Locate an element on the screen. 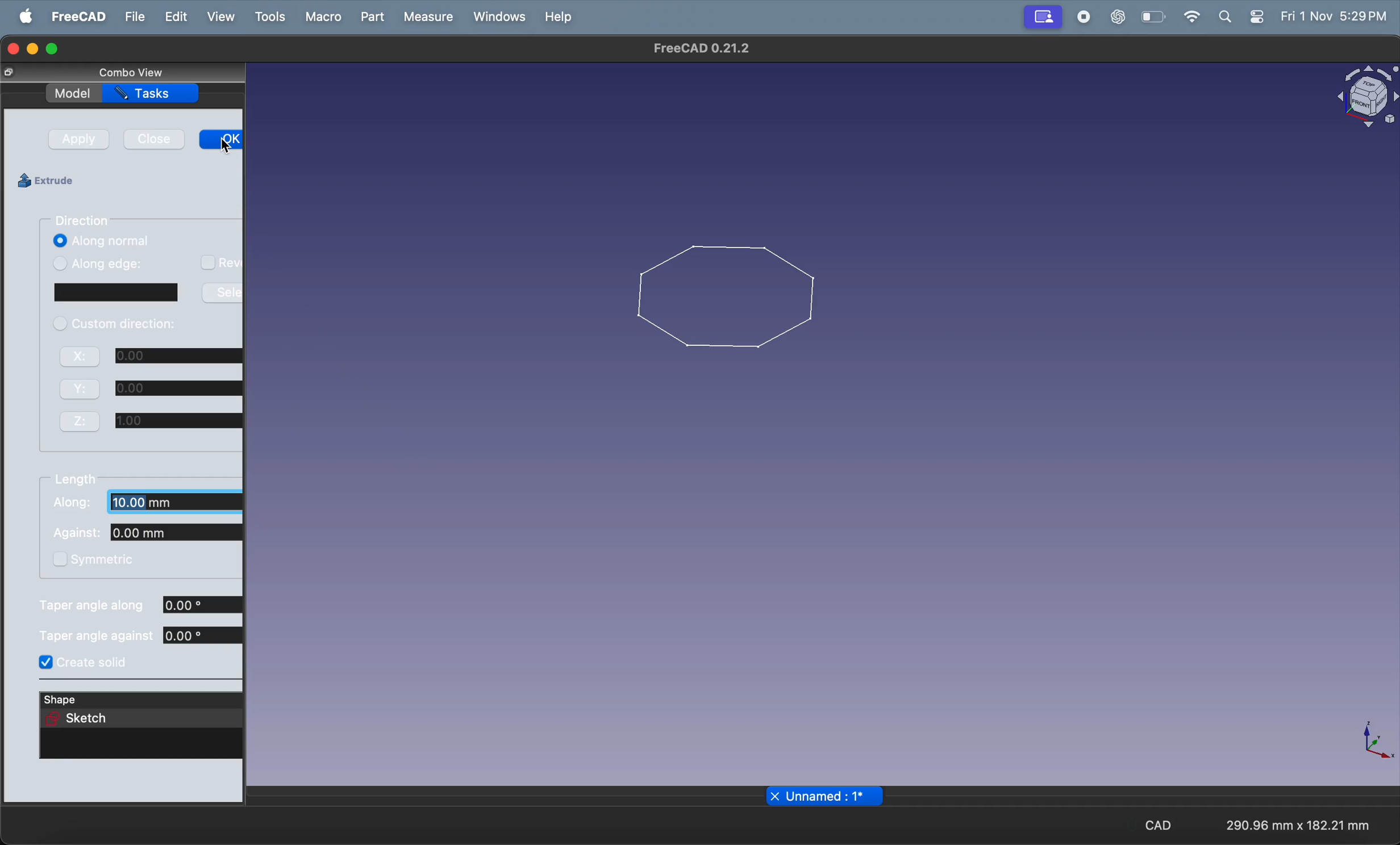 The image size is (1400, 845). model is located at coordinates (77, 93).